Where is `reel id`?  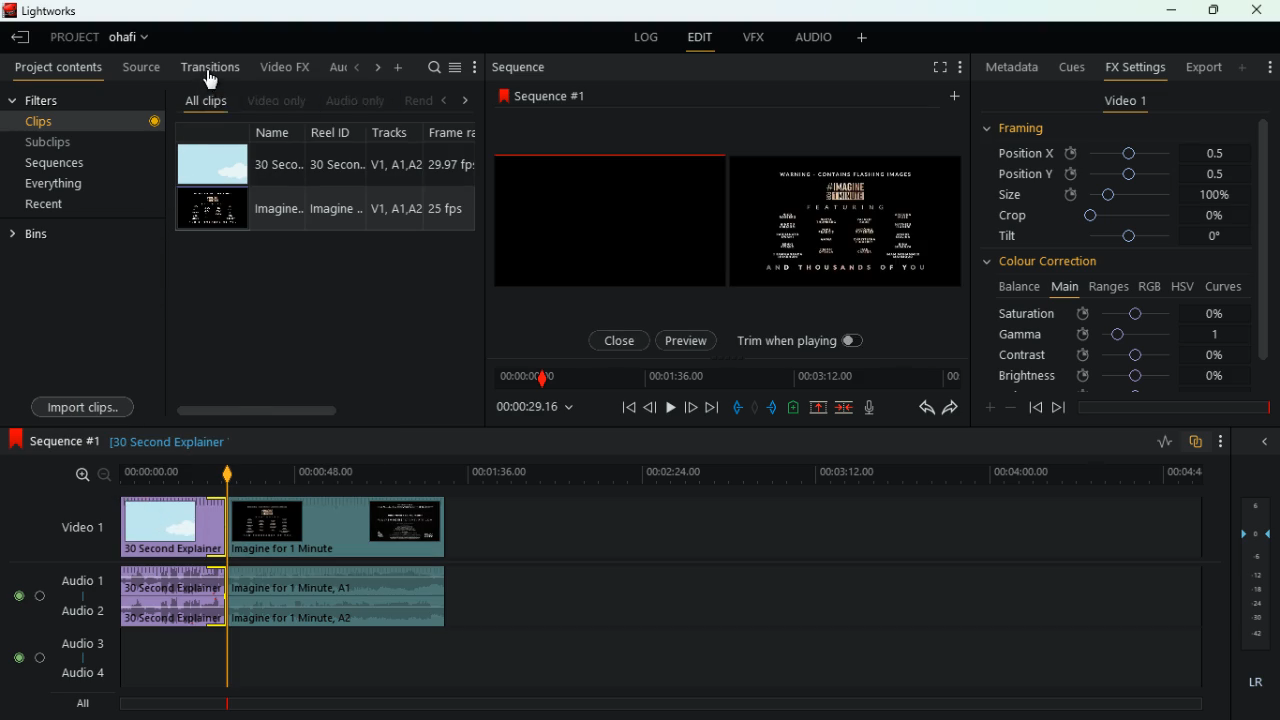 reel id is located at coordinates (339, 178).